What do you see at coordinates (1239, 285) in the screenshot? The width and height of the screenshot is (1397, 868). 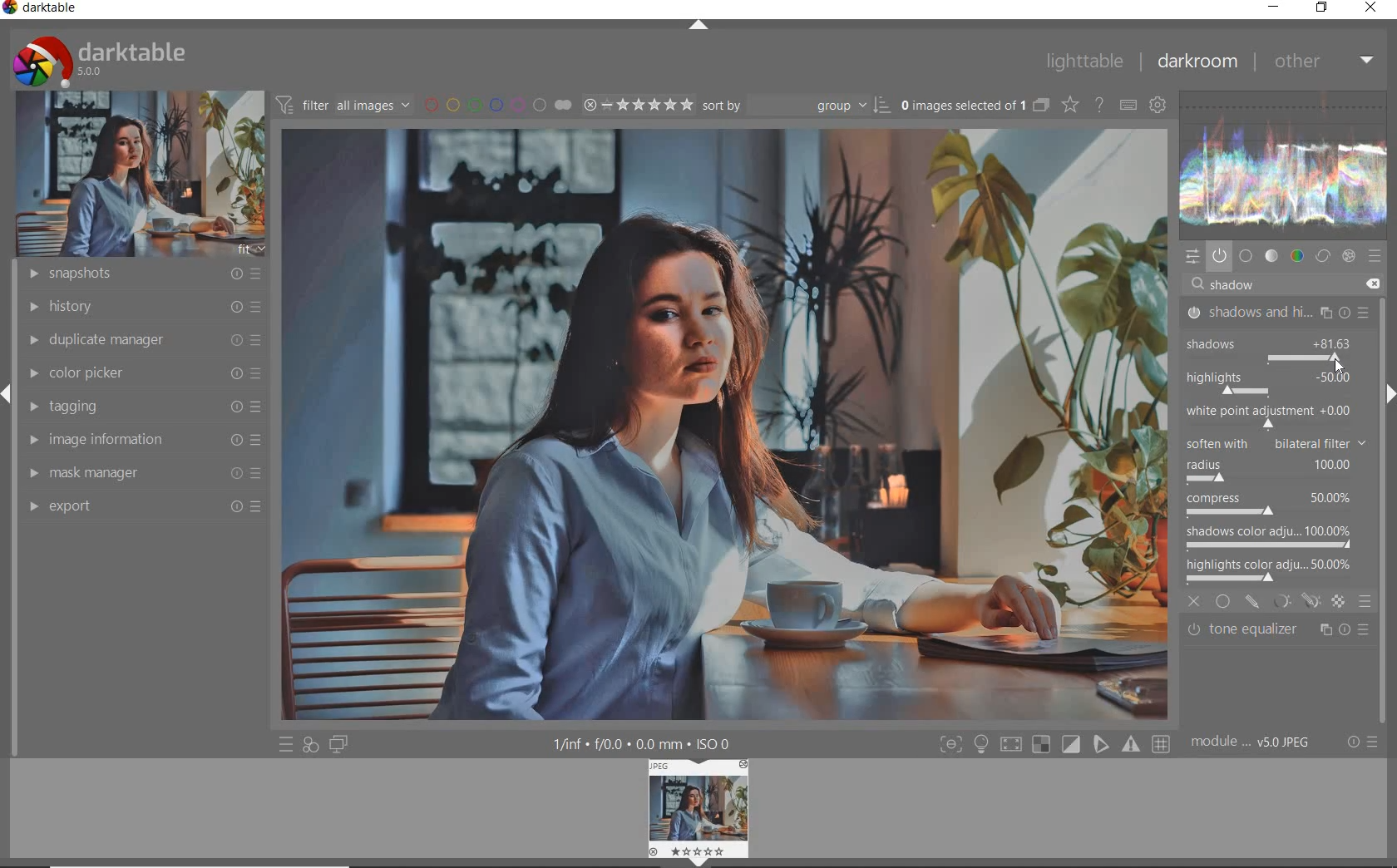 I see `shadow` at bounding box center [1239, 285].